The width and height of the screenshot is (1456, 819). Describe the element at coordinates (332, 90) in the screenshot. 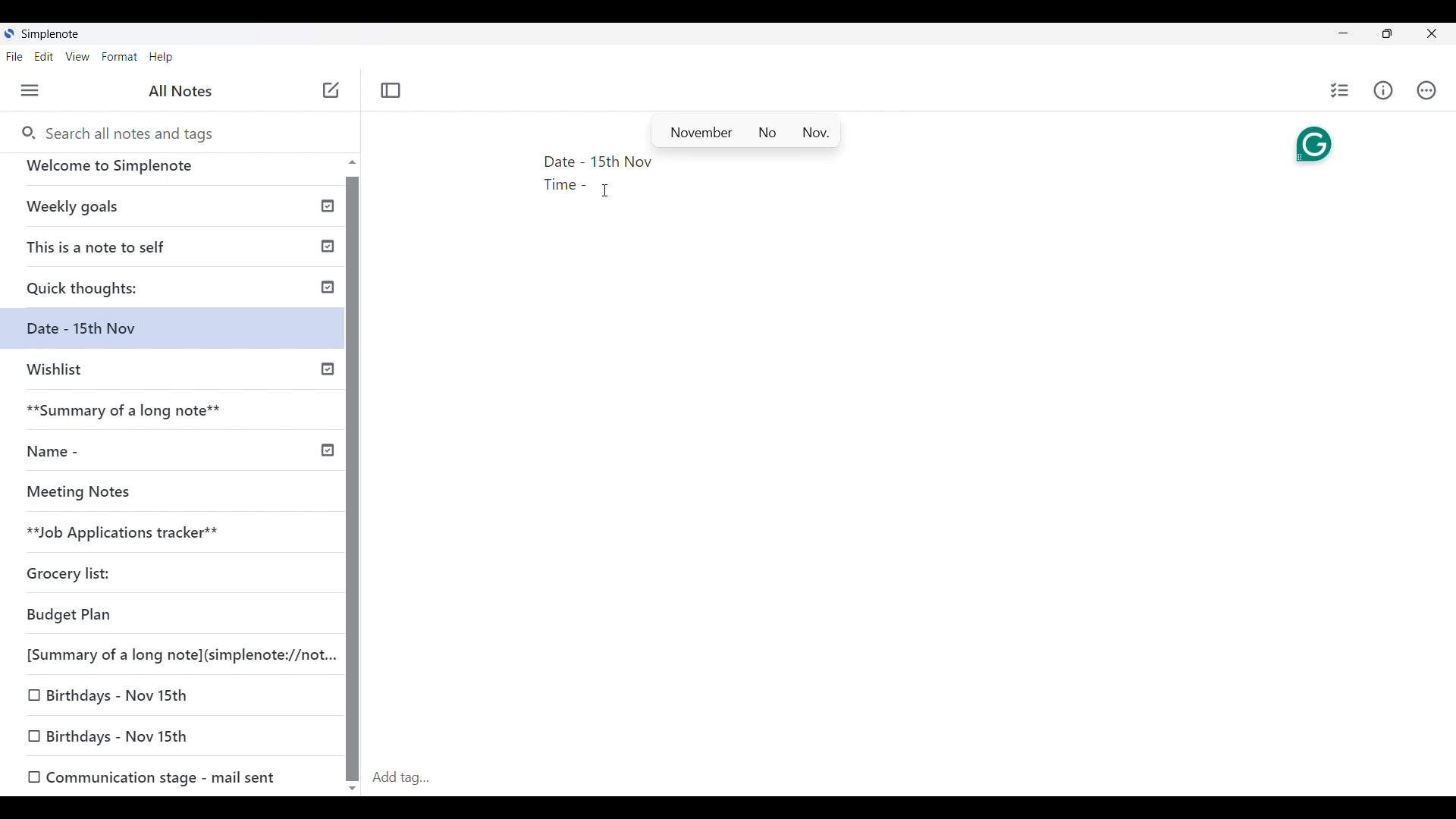

I see `Add note` at that location.